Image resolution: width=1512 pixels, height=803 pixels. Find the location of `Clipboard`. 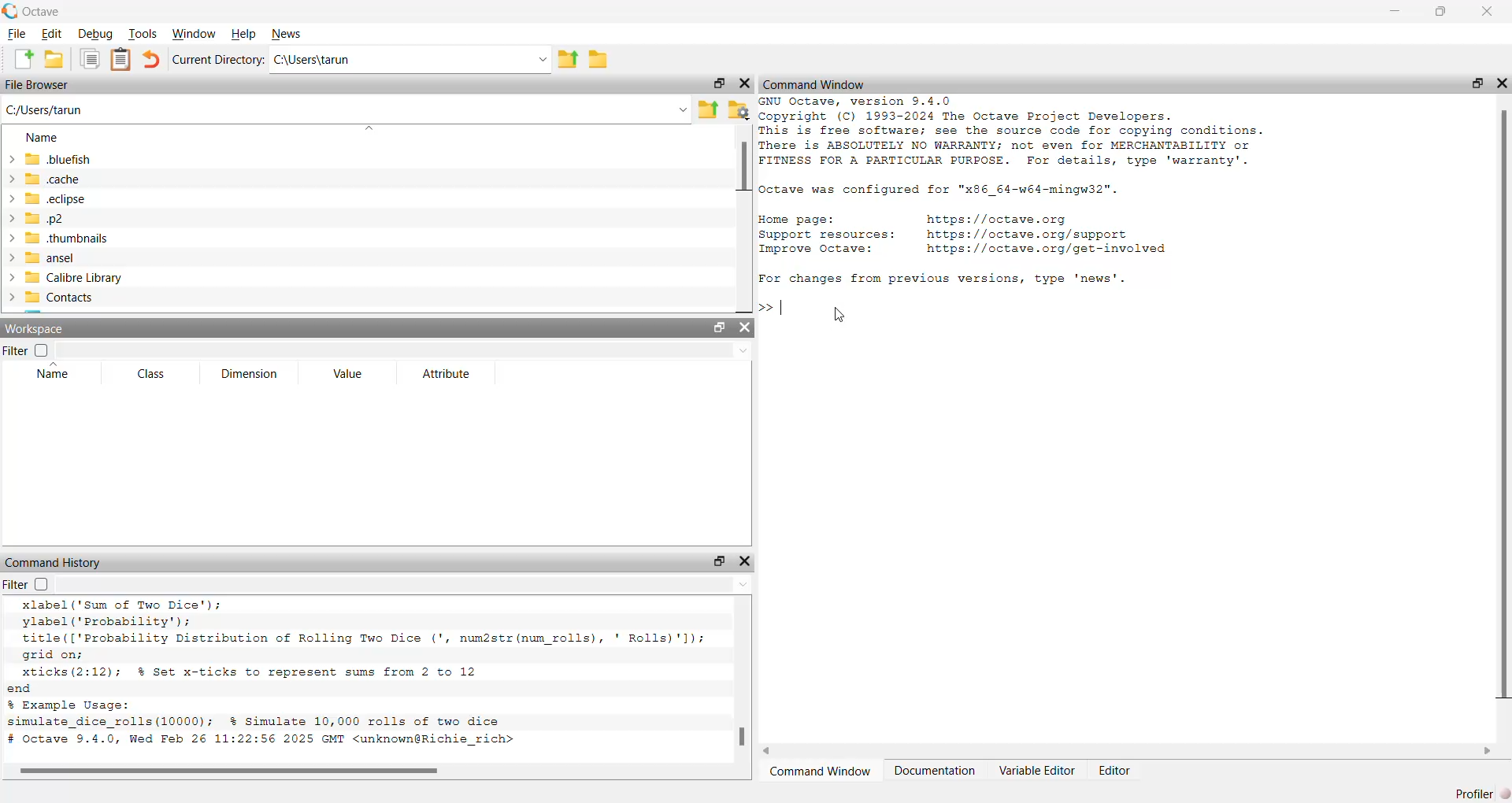

Clipboard is located at coordinates (119, 60).